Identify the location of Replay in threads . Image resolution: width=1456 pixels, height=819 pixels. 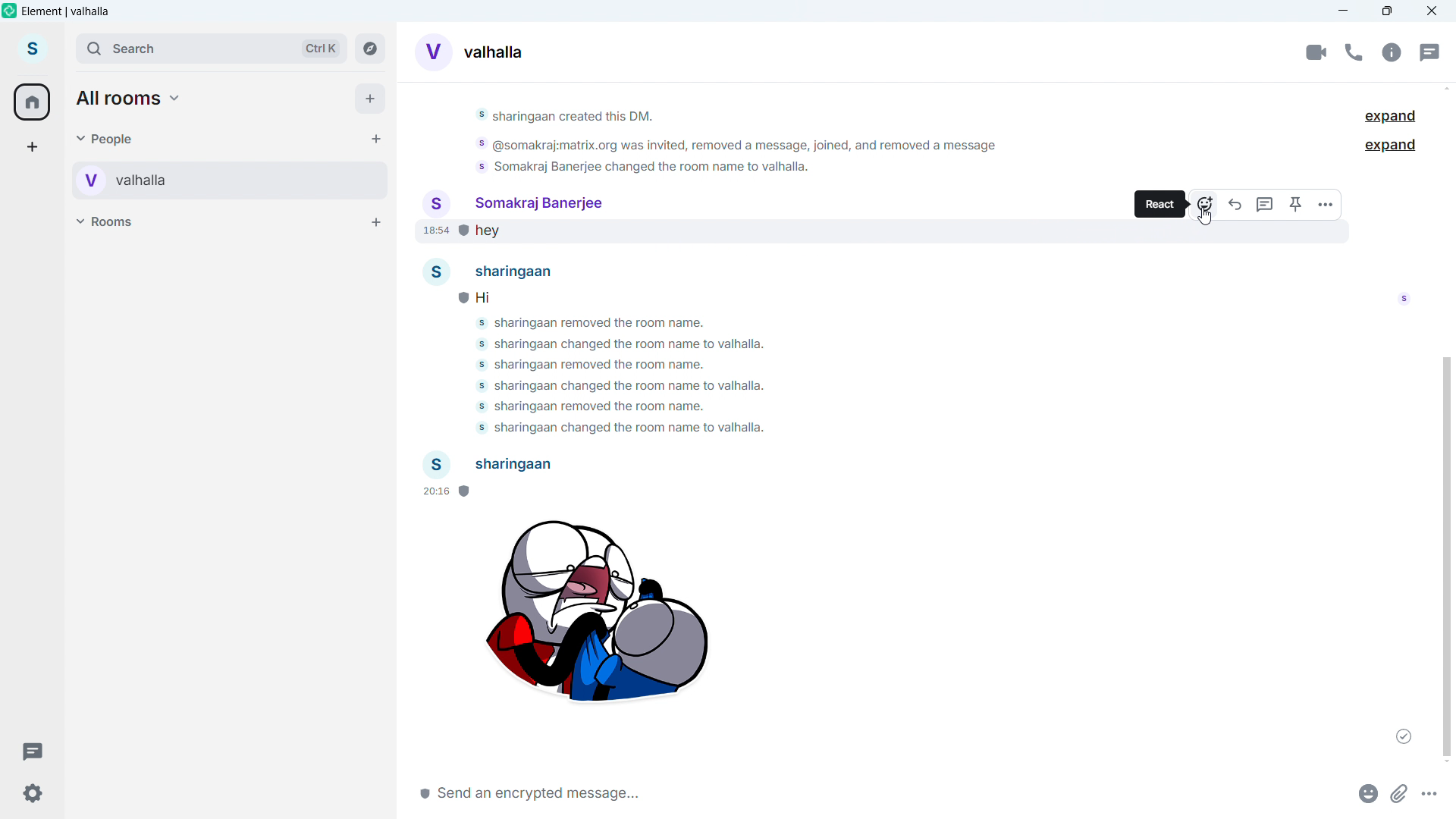
(1266, 204).